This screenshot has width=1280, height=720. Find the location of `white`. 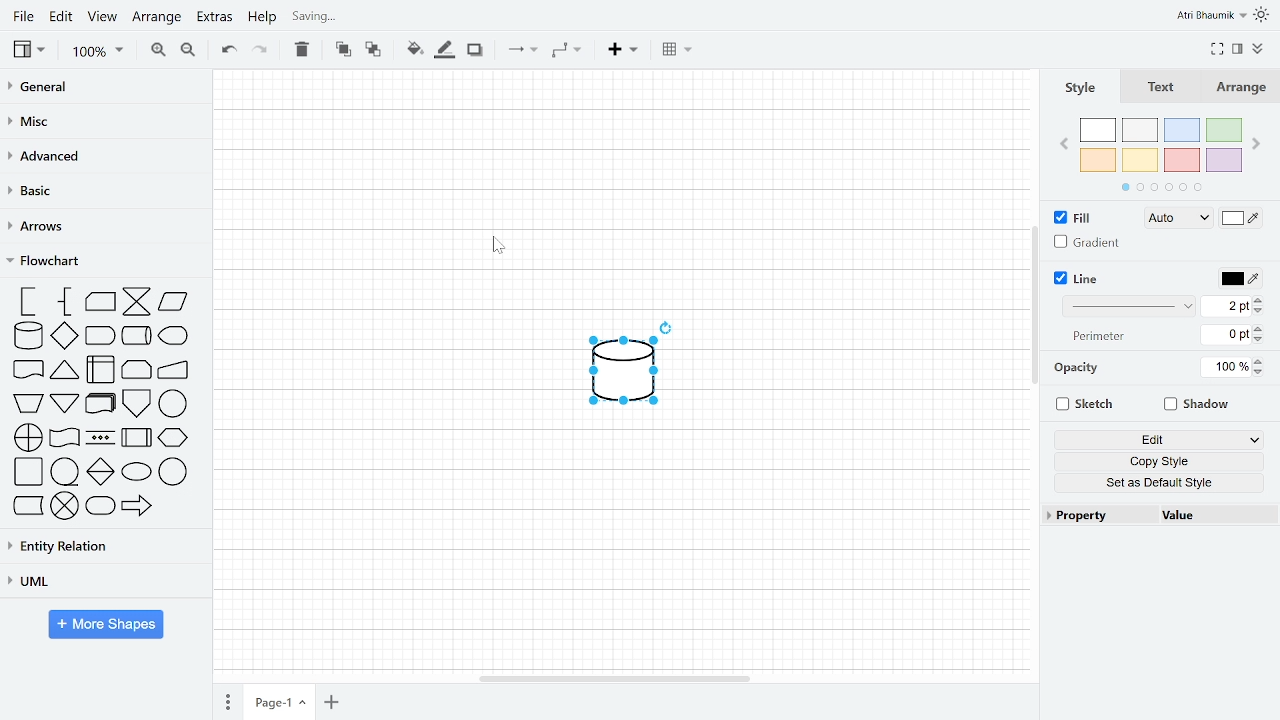

white is located at coordinates (1097, 129).